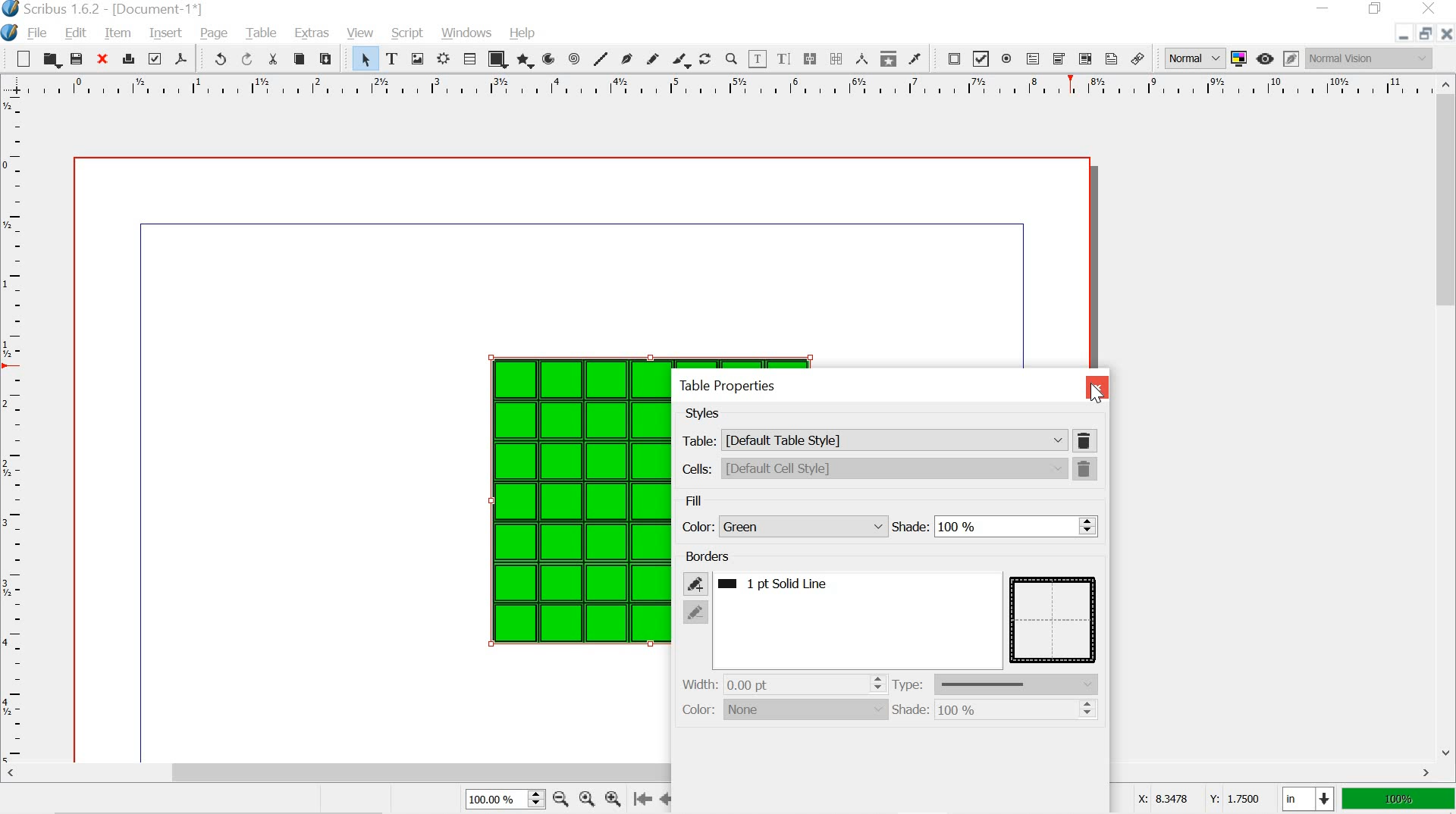 The height and width of the screenshot is (814, 1456). Describe the element at coordinates (886, 58) in the screenshot. I see `copy item properties` at that location.